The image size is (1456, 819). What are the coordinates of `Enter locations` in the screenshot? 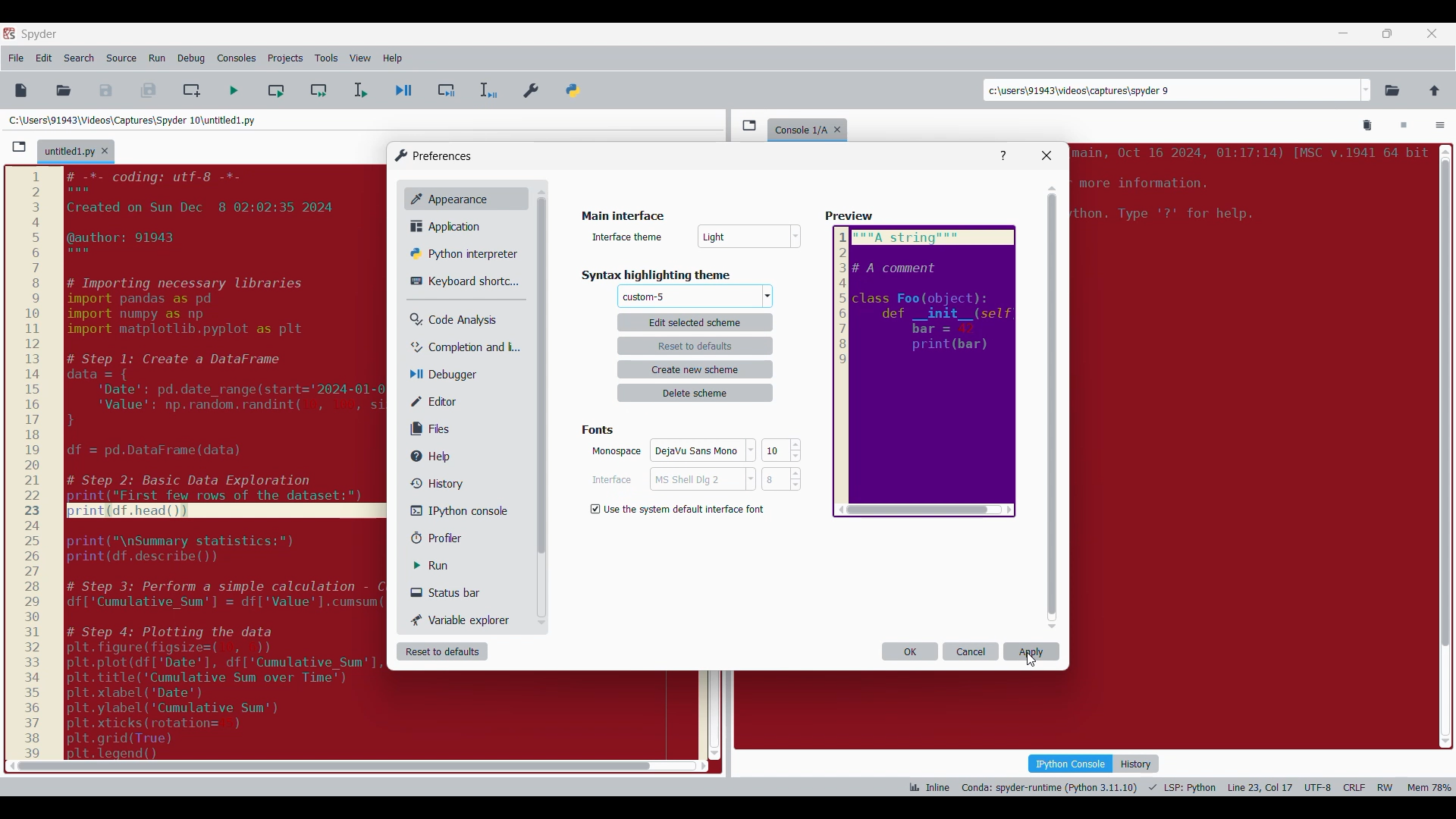 It's located at (1171, 90).